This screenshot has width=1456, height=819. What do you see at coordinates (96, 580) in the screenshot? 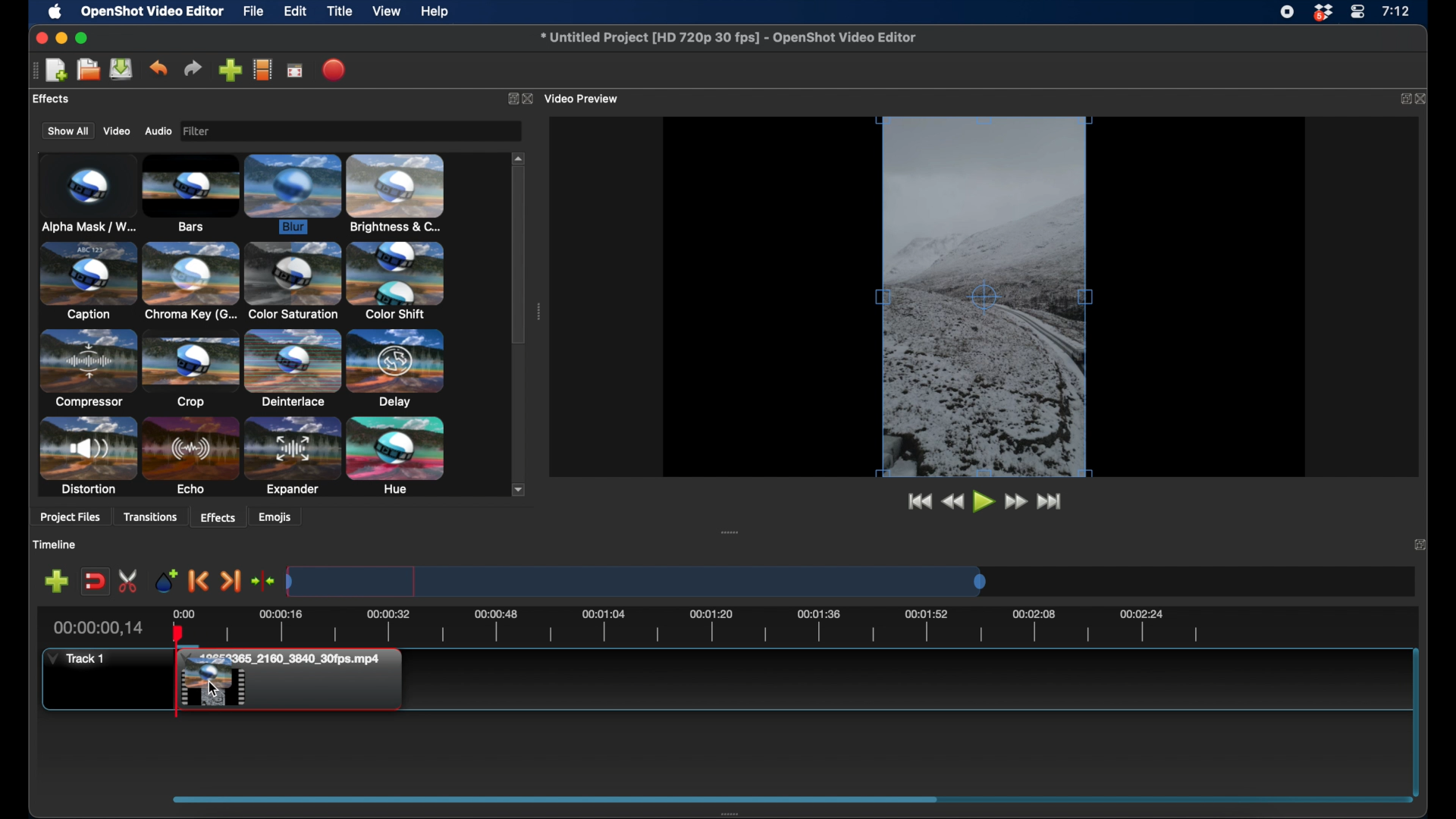
I see `disbale snapping` at bounding box center [96, 580].